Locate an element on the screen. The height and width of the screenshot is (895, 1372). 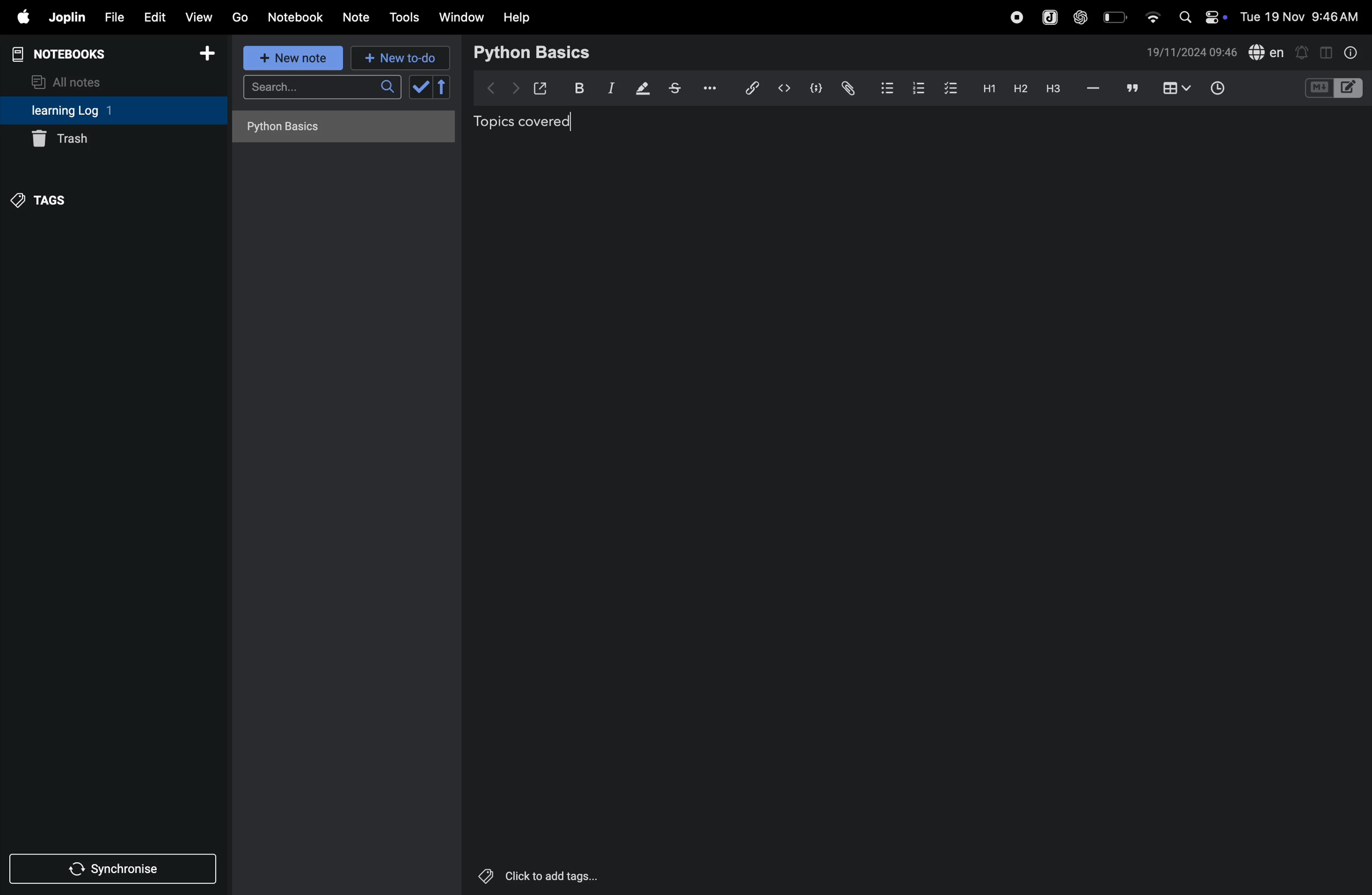
file is located at coordinates (112, 18).